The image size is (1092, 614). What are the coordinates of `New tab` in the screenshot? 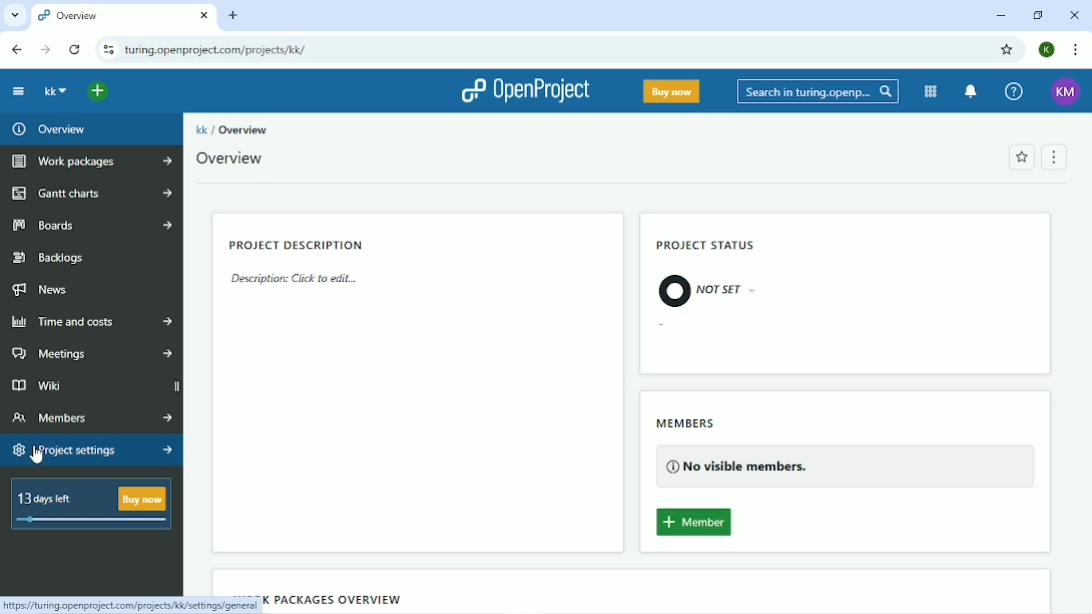 It's located at (234, 15).